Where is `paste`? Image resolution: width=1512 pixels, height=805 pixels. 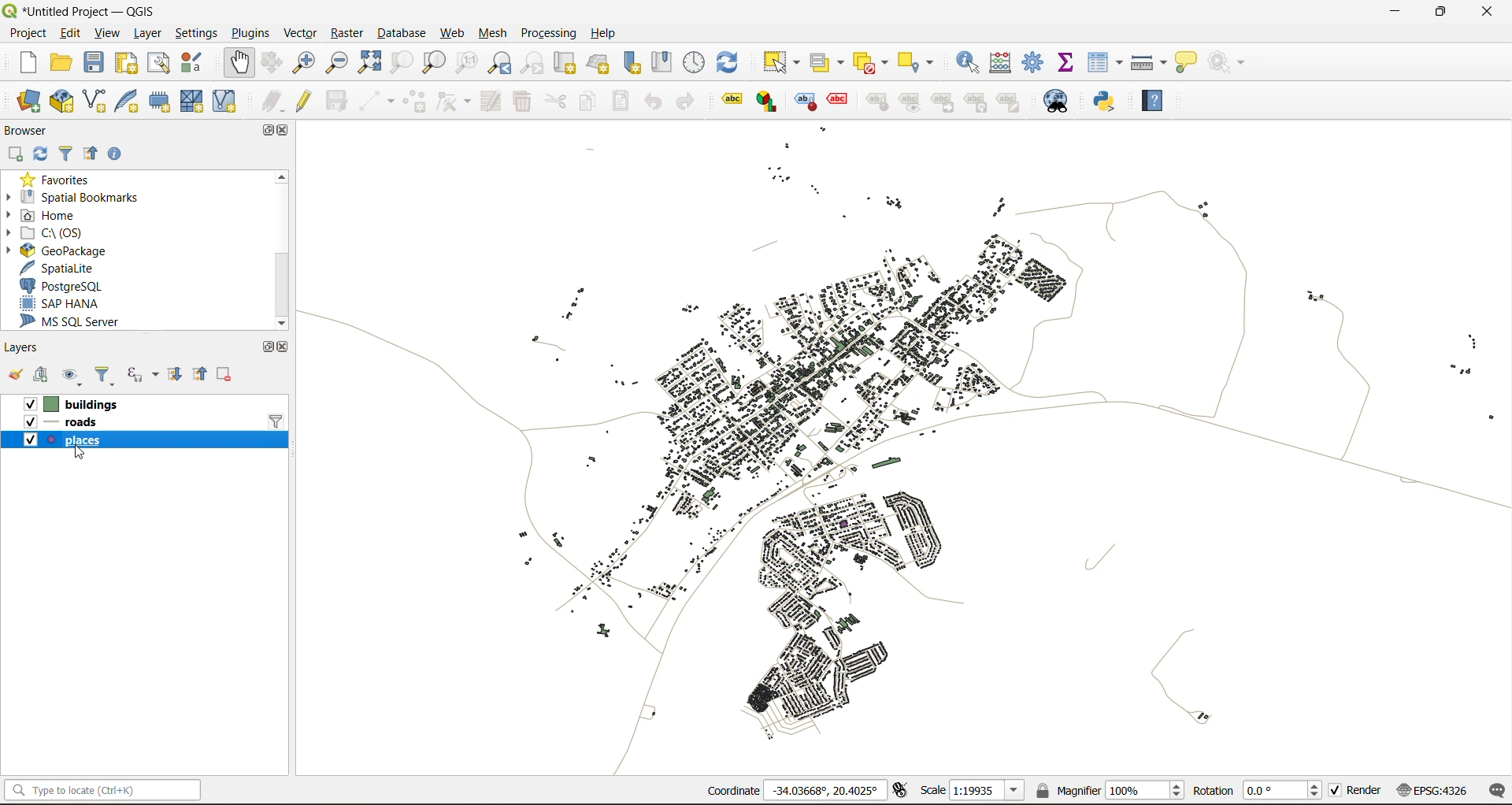 paste is located at coordinates (625, 101).